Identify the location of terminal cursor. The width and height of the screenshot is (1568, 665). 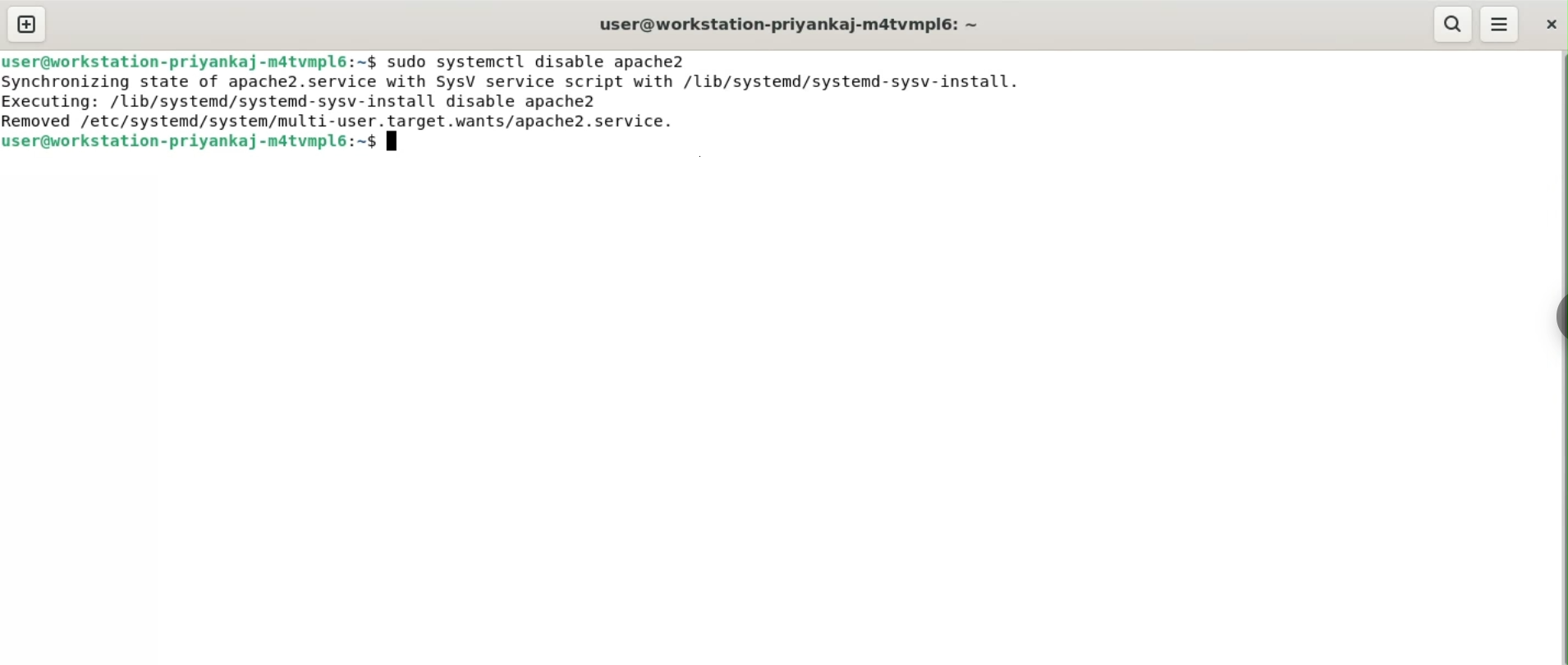
(395, 143).